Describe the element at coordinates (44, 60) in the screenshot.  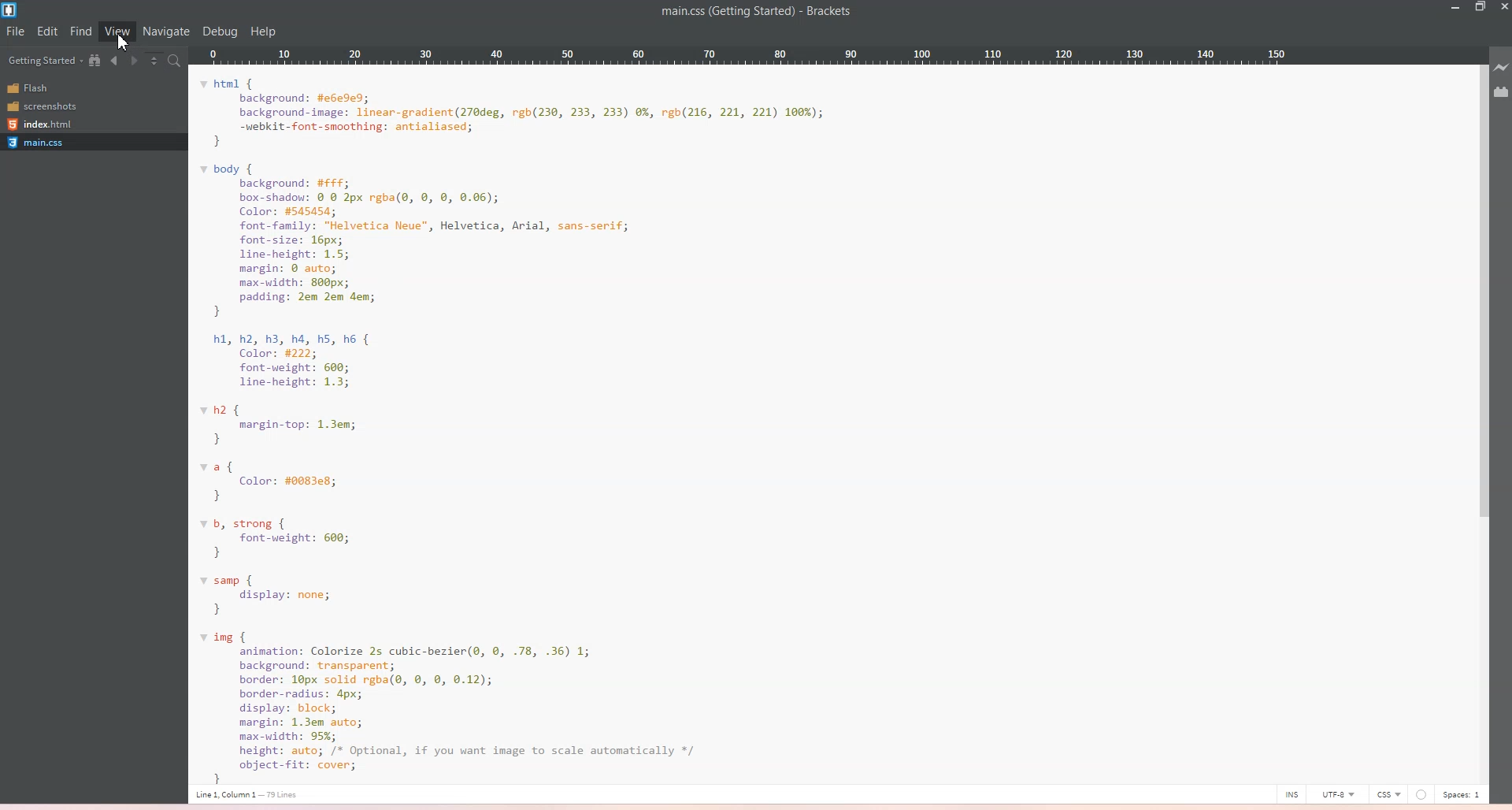
I see `Getting Started` at that location.